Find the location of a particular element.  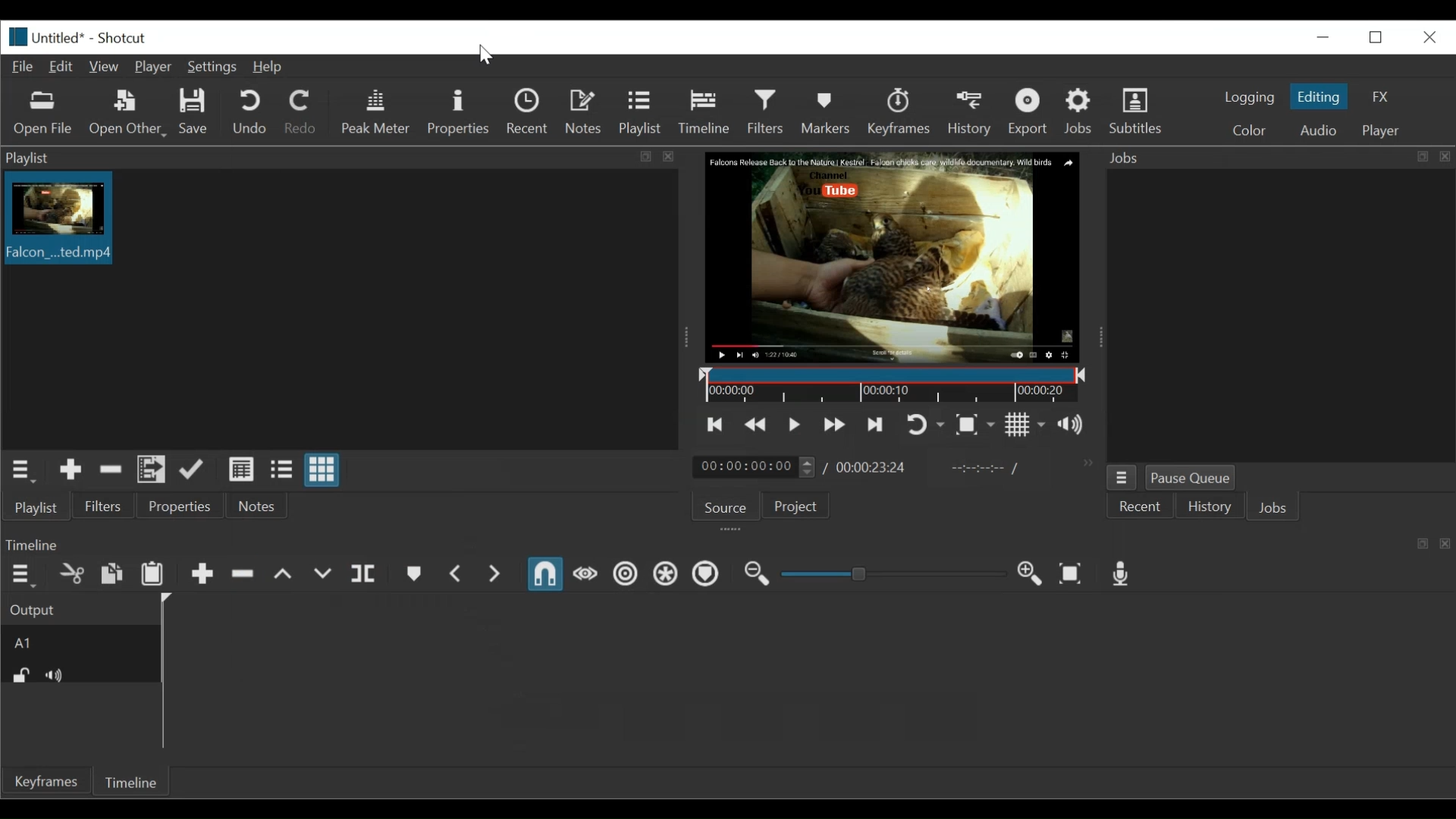

Edit is located at coordinates (61, 69).